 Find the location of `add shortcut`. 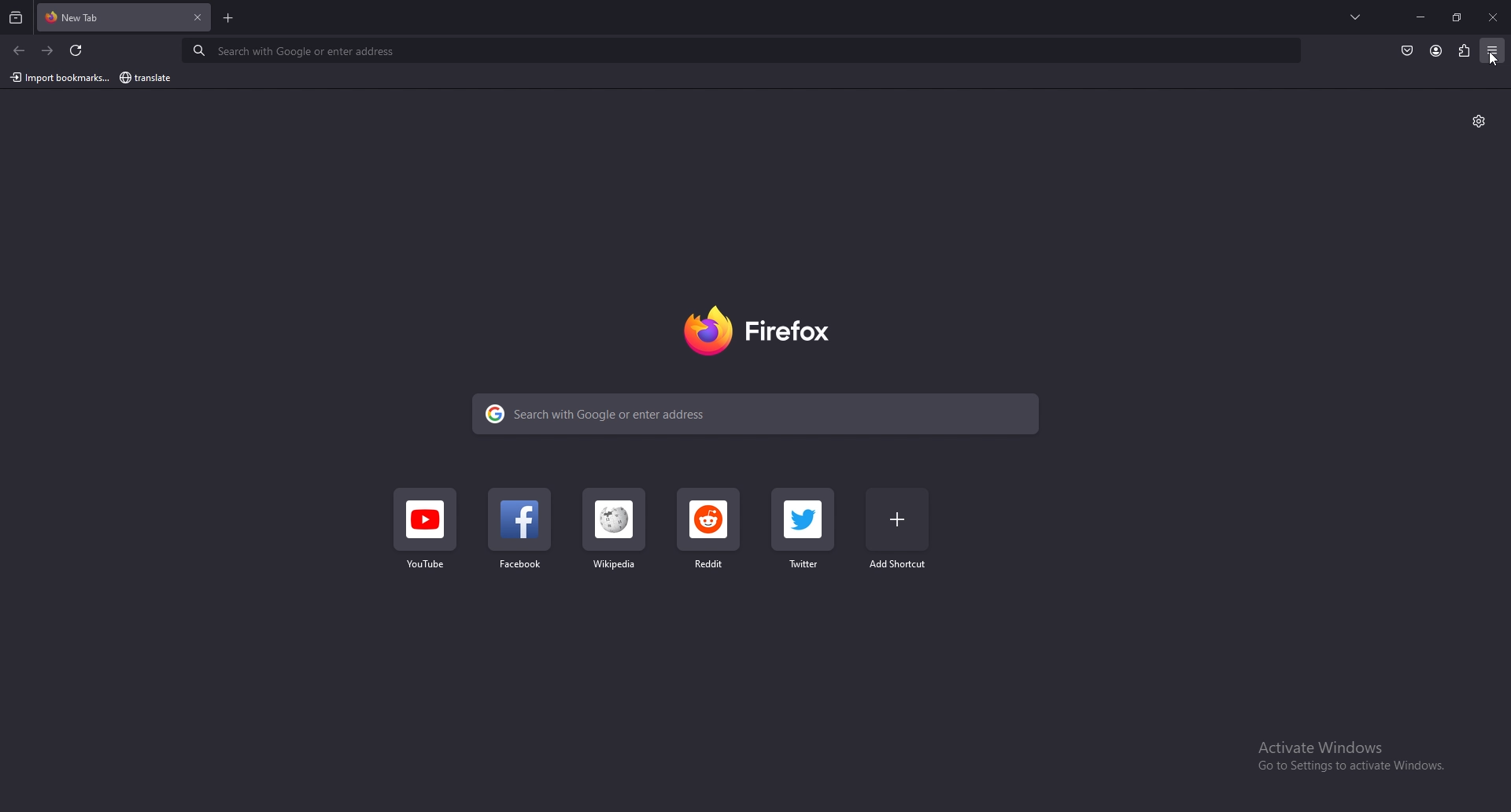

add shortcut is located at coordinates (899, 532).